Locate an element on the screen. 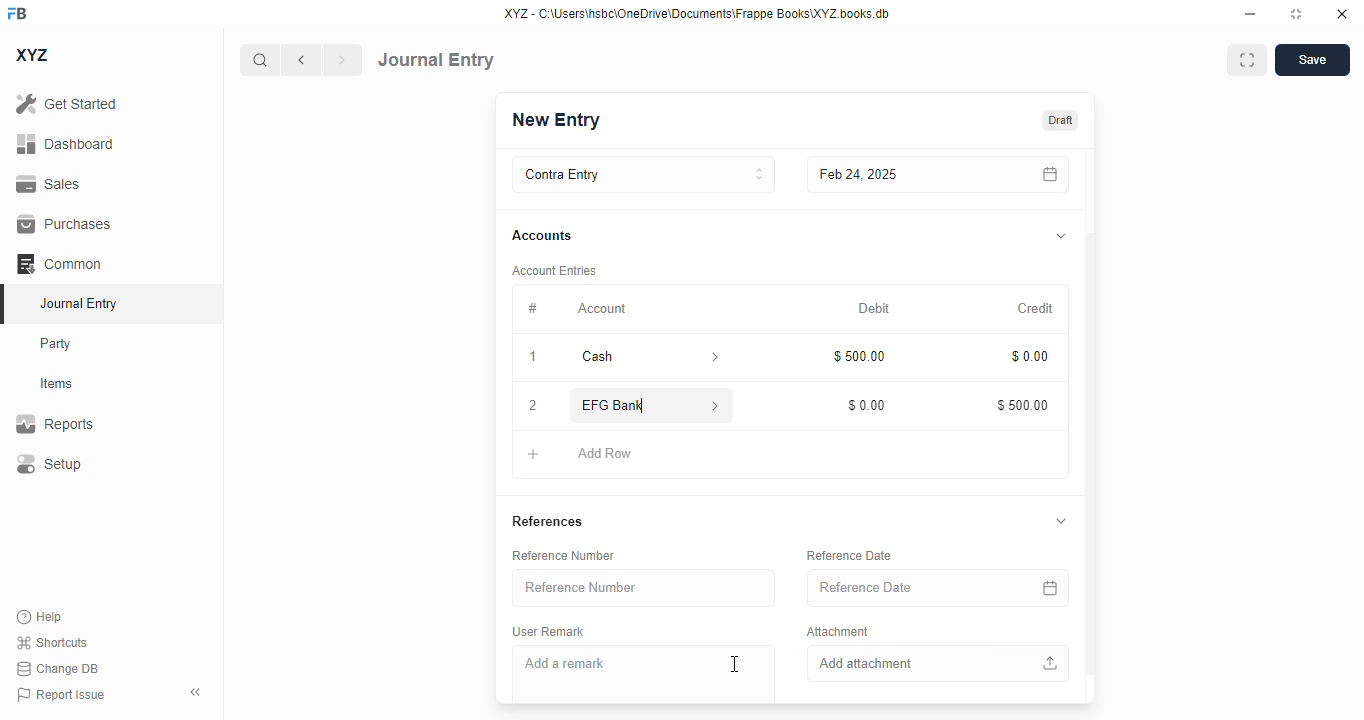 The height and width of the screenshot is (720, 1364). previous is located at coordinates (301, 60).